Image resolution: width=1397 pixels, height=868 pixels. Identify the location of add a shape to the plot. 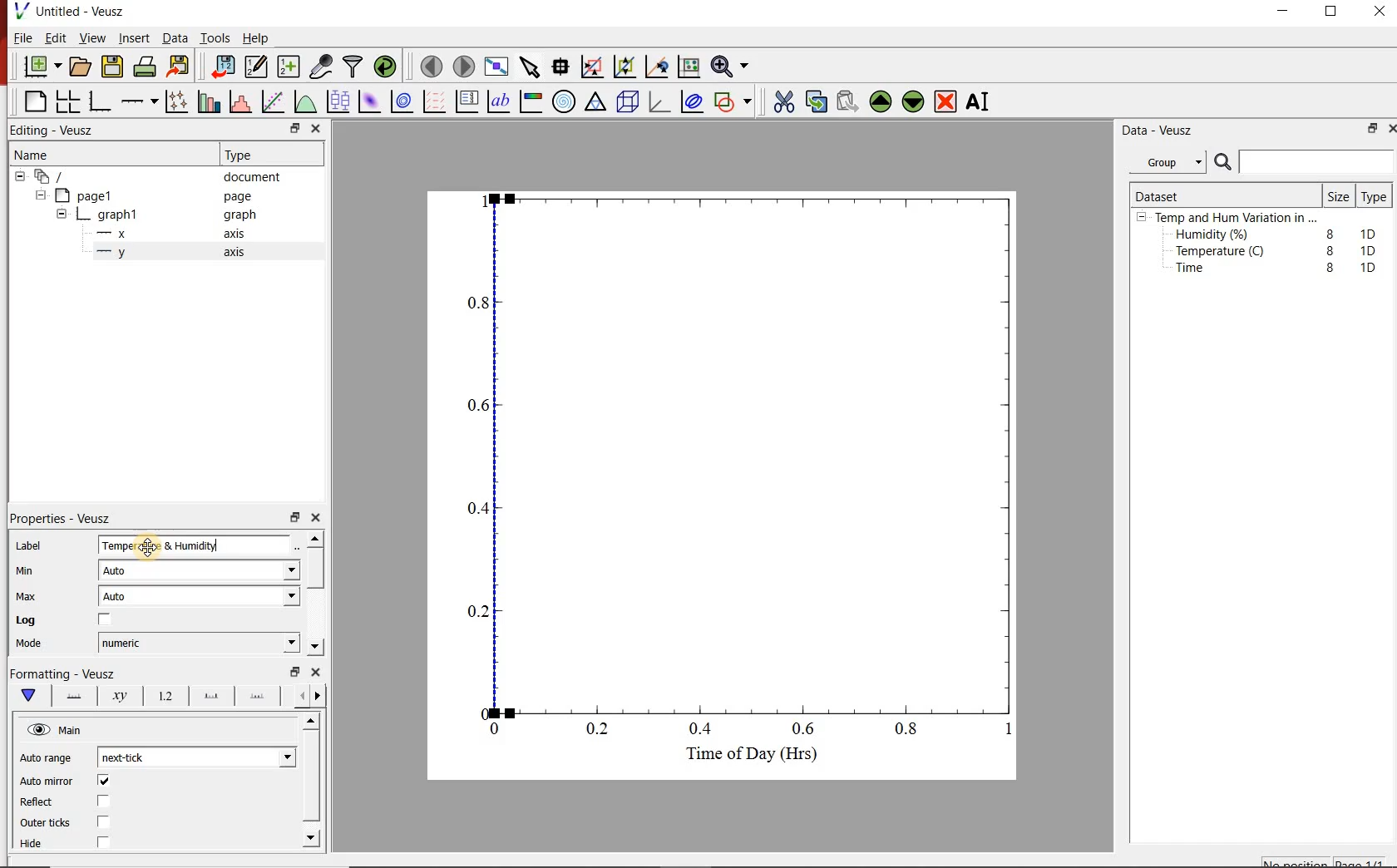
(737, 104).